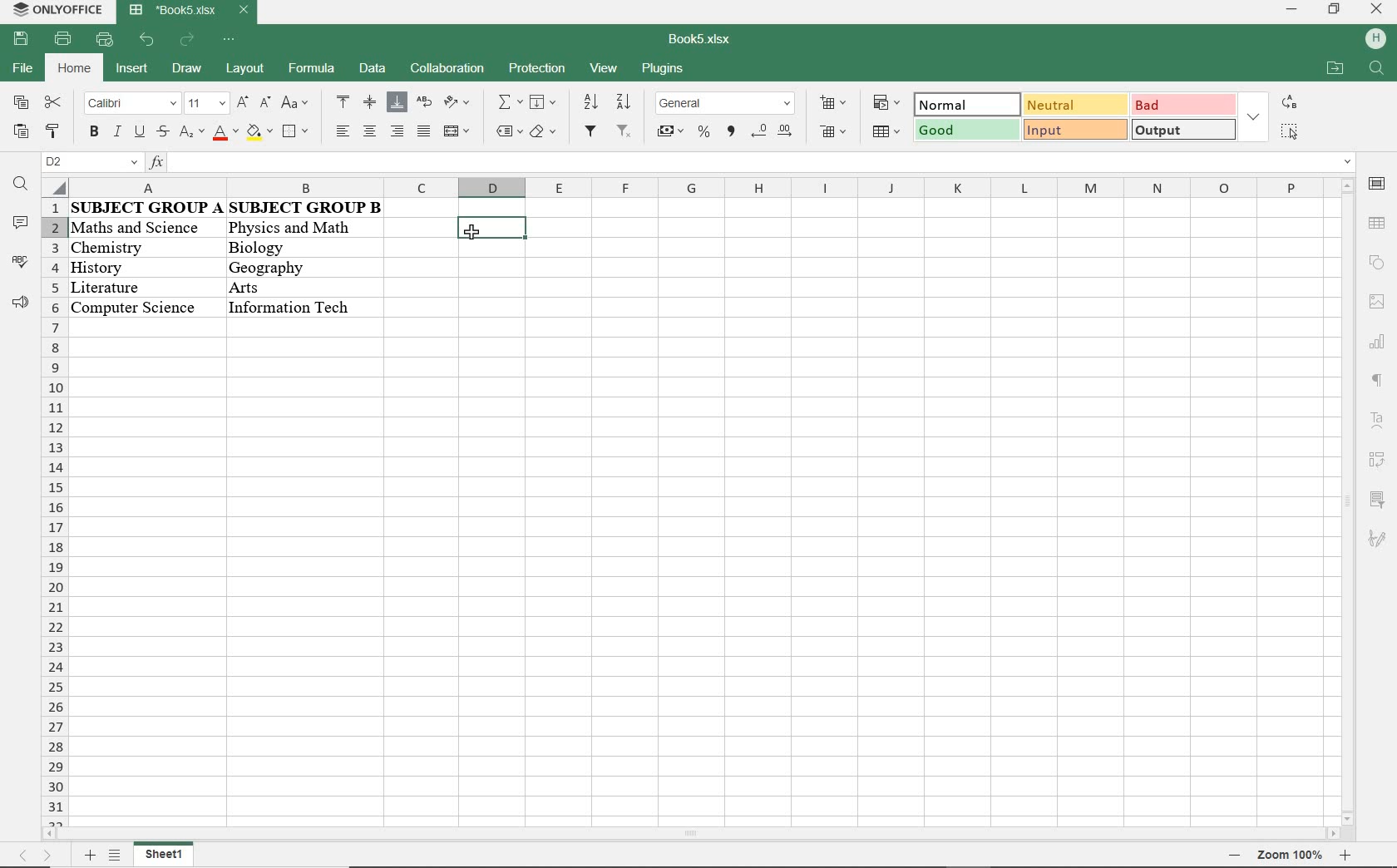 This screenshot has width=1397, height=868. Describe the element at coordinates (887, 104) in the screenshot. I see `conditional formatting` at that location.